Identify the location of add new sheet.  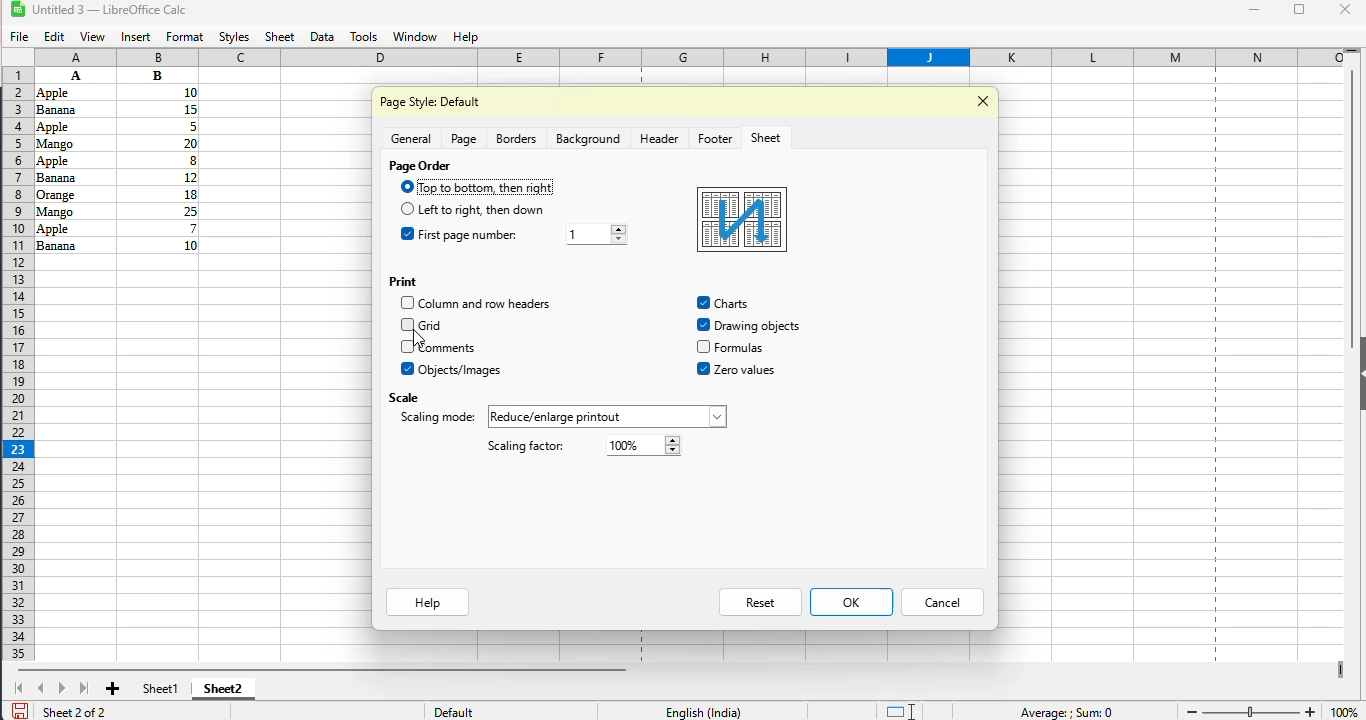
(114, 689).